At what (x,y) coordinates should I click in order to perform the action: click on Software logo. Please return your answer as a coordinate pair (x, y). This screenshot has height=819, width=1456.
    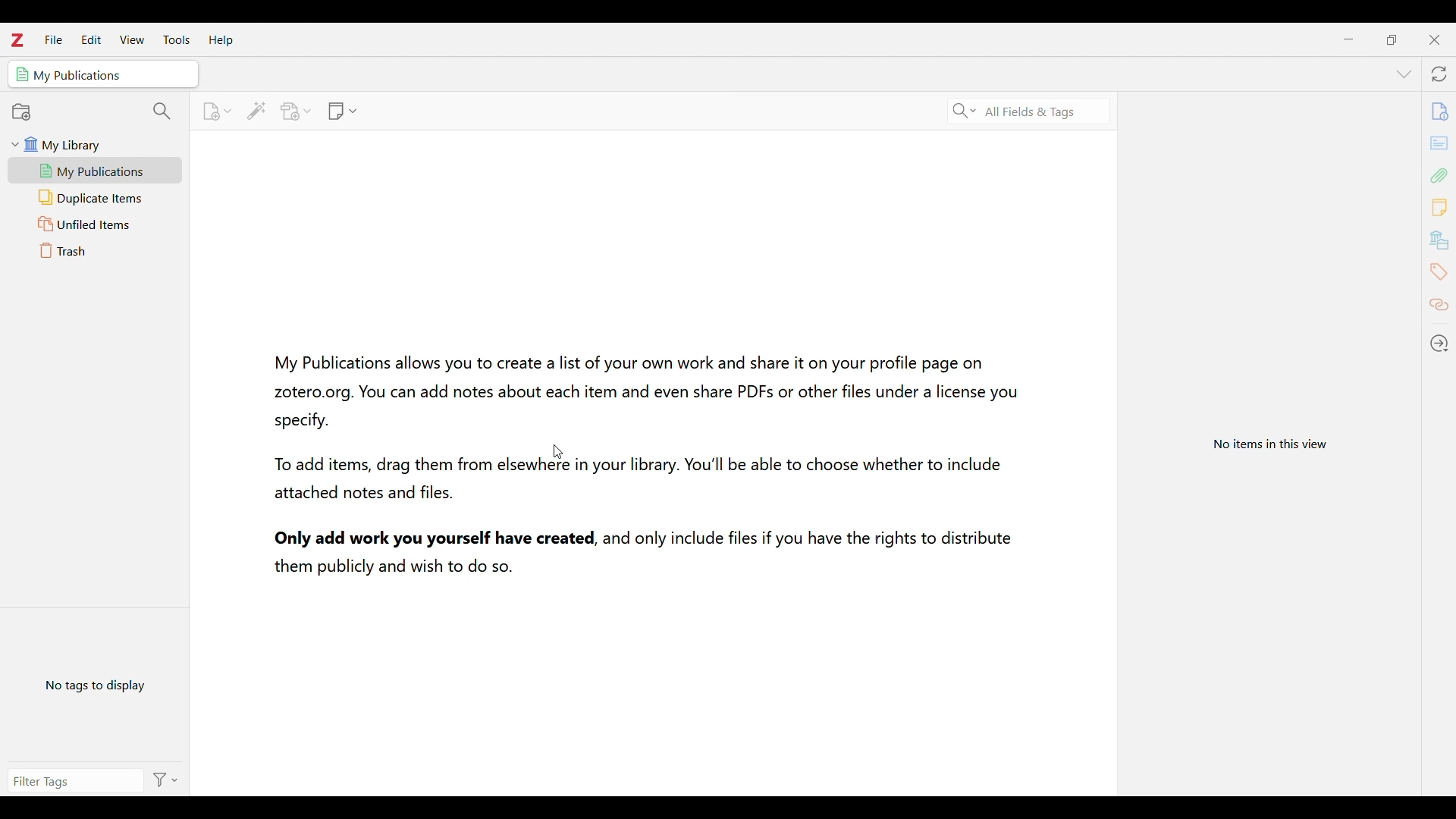
    Looking at the image, I should click on (17, 40).